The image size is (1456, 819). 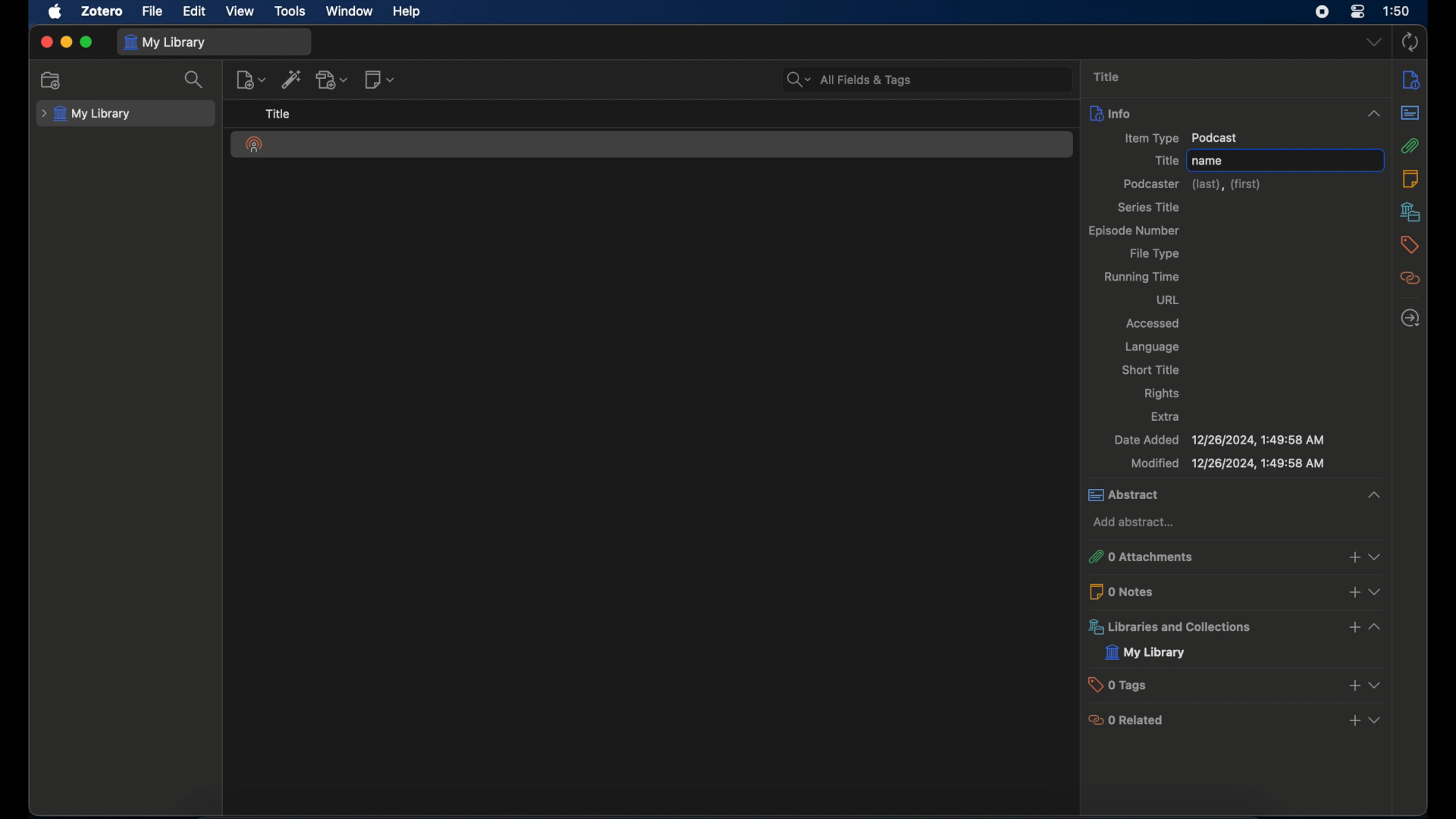 What do you see at coordinates (1238, 112) in the screenshot?
I see `info` at bounding box center [1238, 112].